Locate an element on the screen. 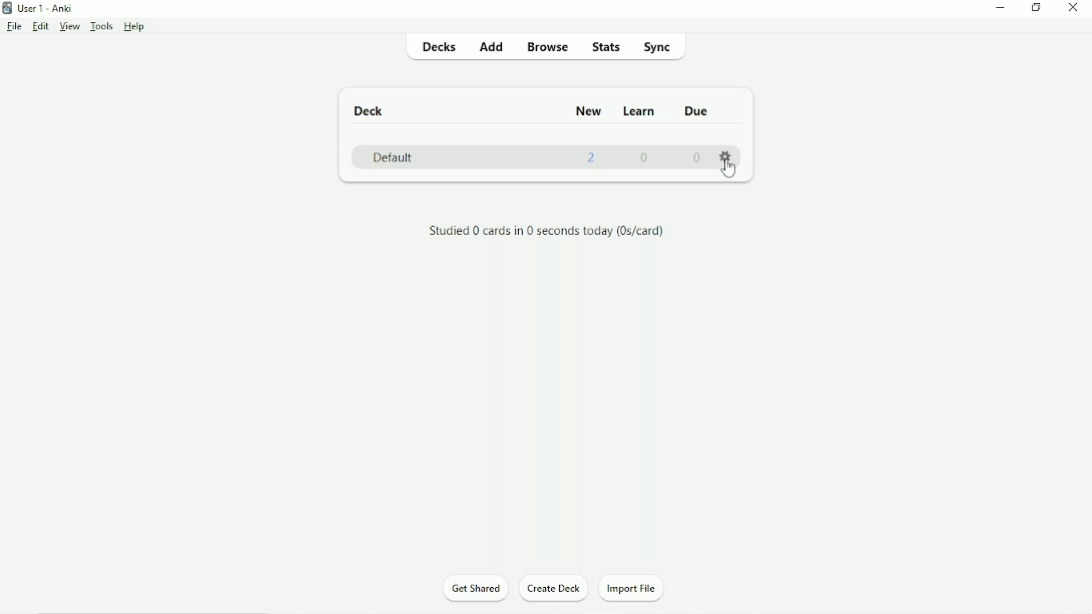  Due is located at coordinates (695, 111).